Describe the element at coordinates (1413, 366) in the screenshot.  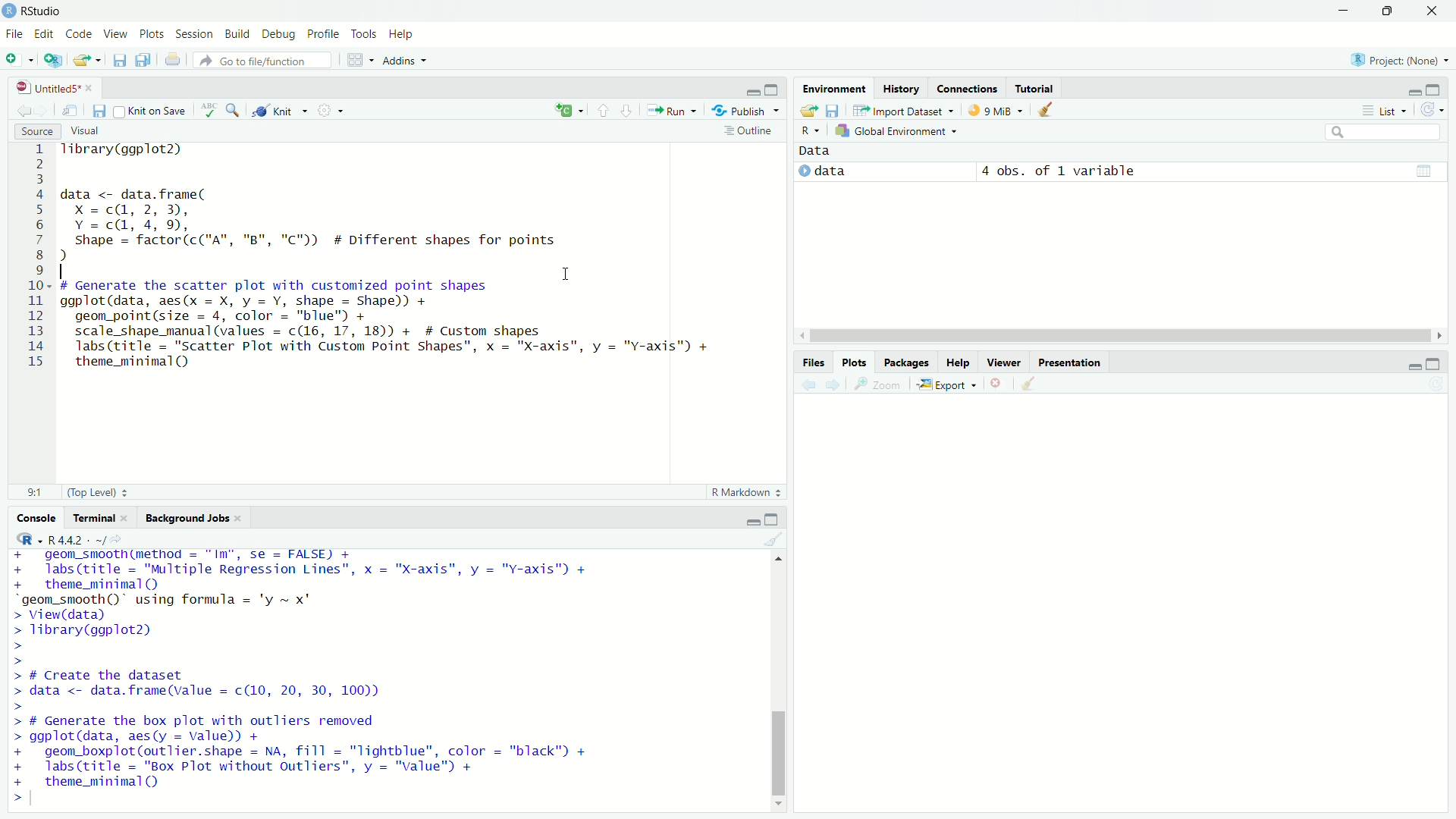
I see `minimize` at that location.